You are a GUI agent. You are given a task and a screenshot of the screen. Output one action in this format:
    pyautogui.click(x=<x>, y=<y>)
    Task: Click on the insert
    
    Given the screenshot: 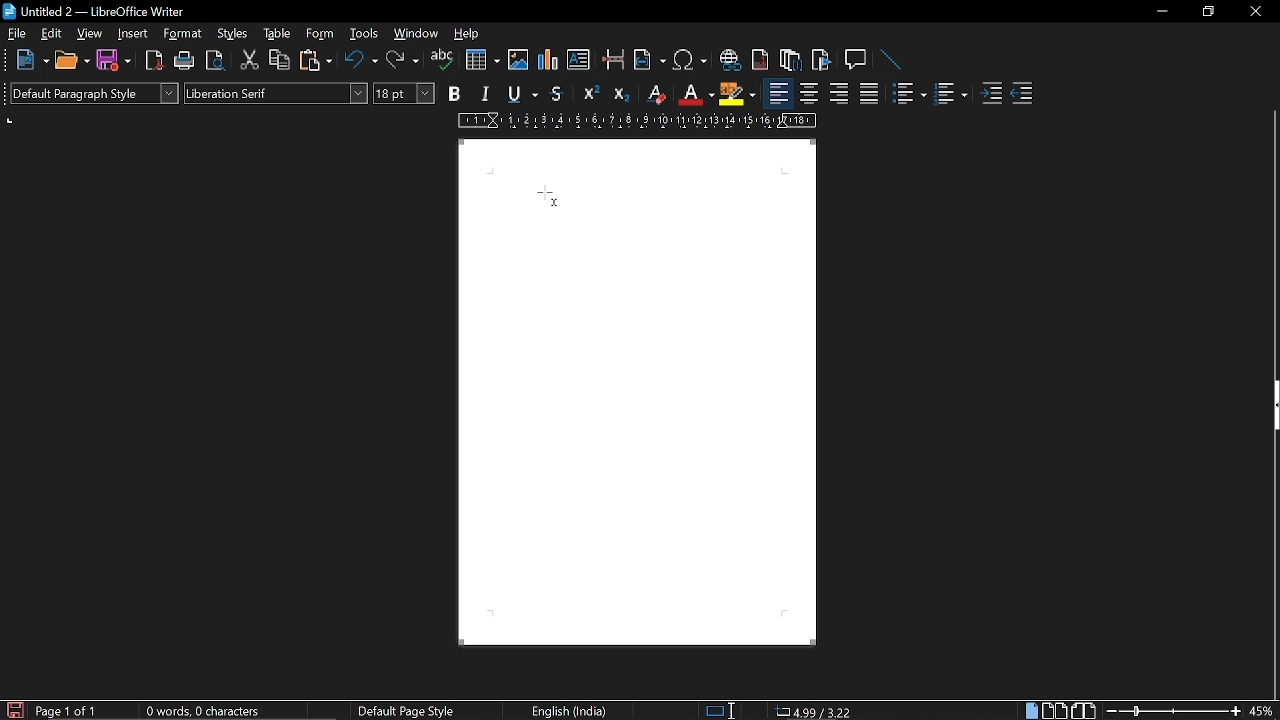 What is the action you would take?
    pyautogui.click(x=133, y=34)
    